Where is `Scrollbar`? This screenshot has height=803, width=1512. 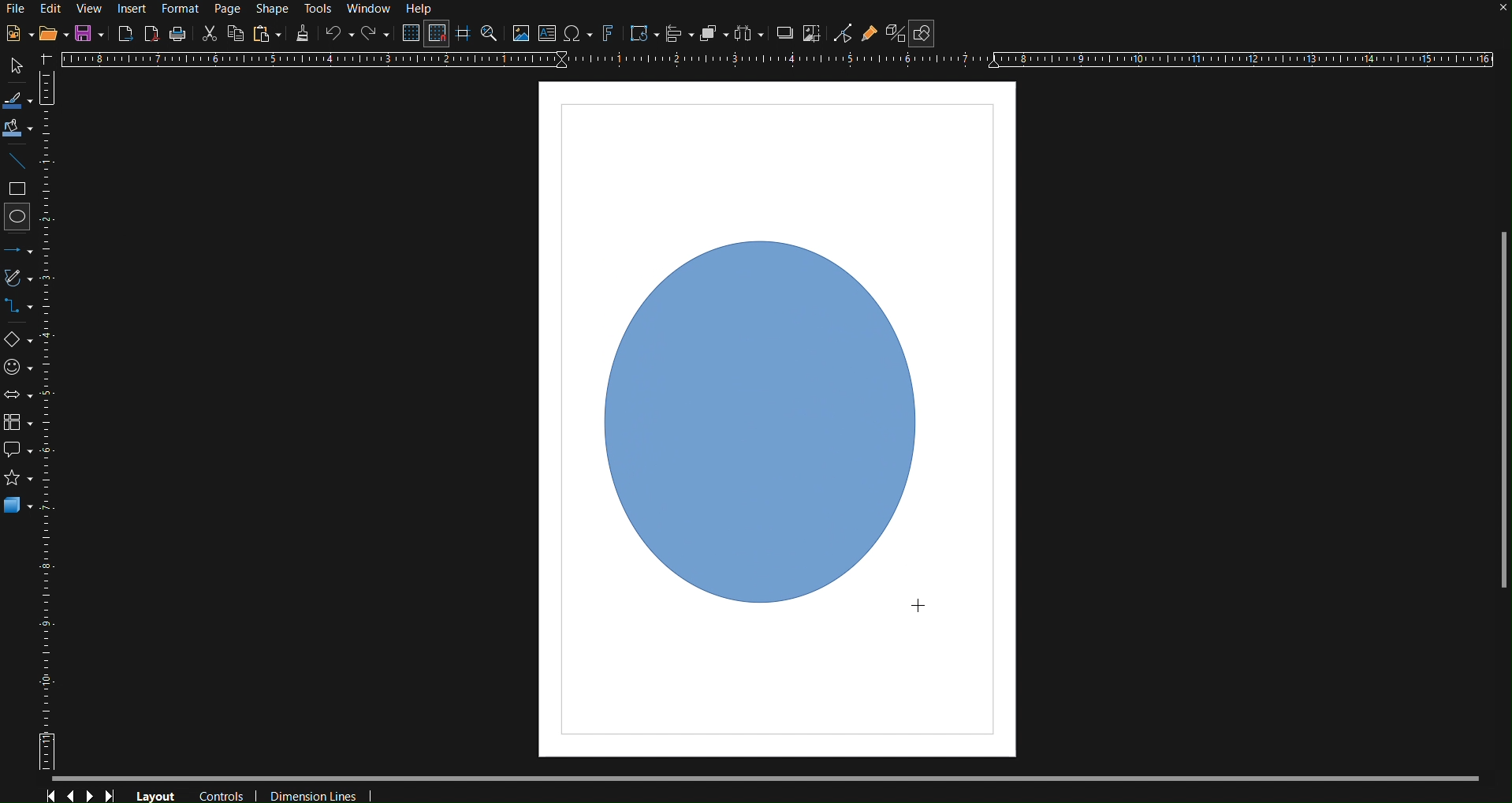 Scrollbar is located at coordinates (780, 777).